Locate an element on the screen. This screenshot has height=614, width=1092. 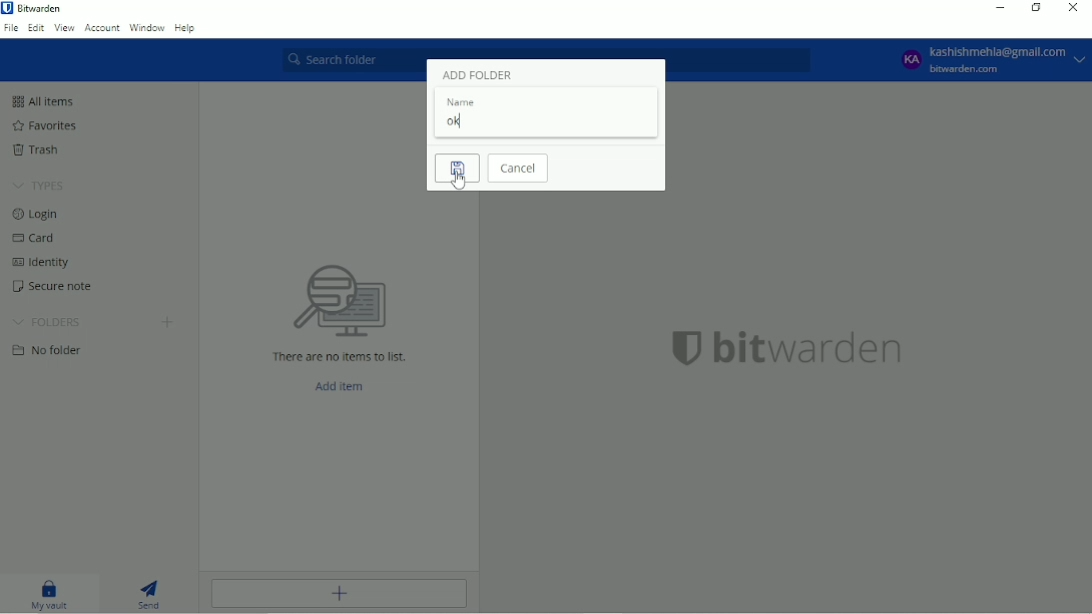
Secure note is located at coordinates (51, 287).